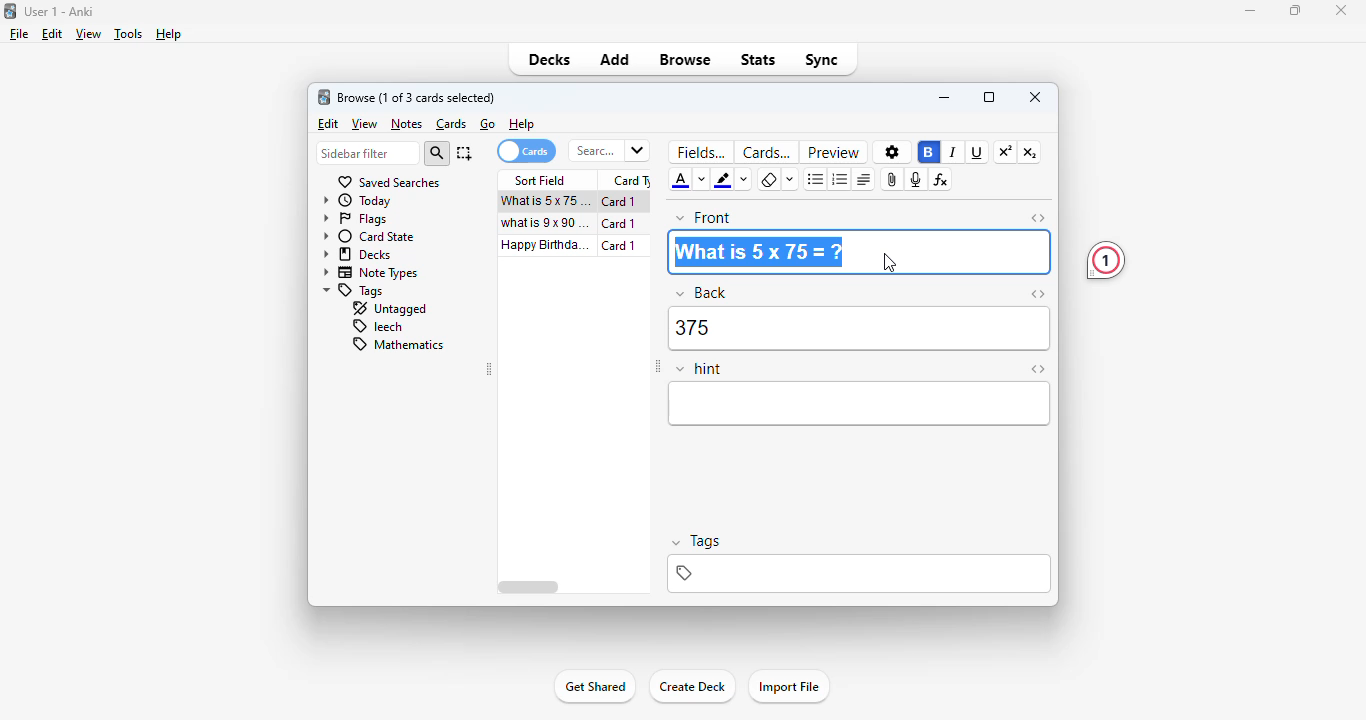 The image size is (1366, 720). Describe the element at coordinates (864, 180) in the screenshot. I see `alignment` at that location.